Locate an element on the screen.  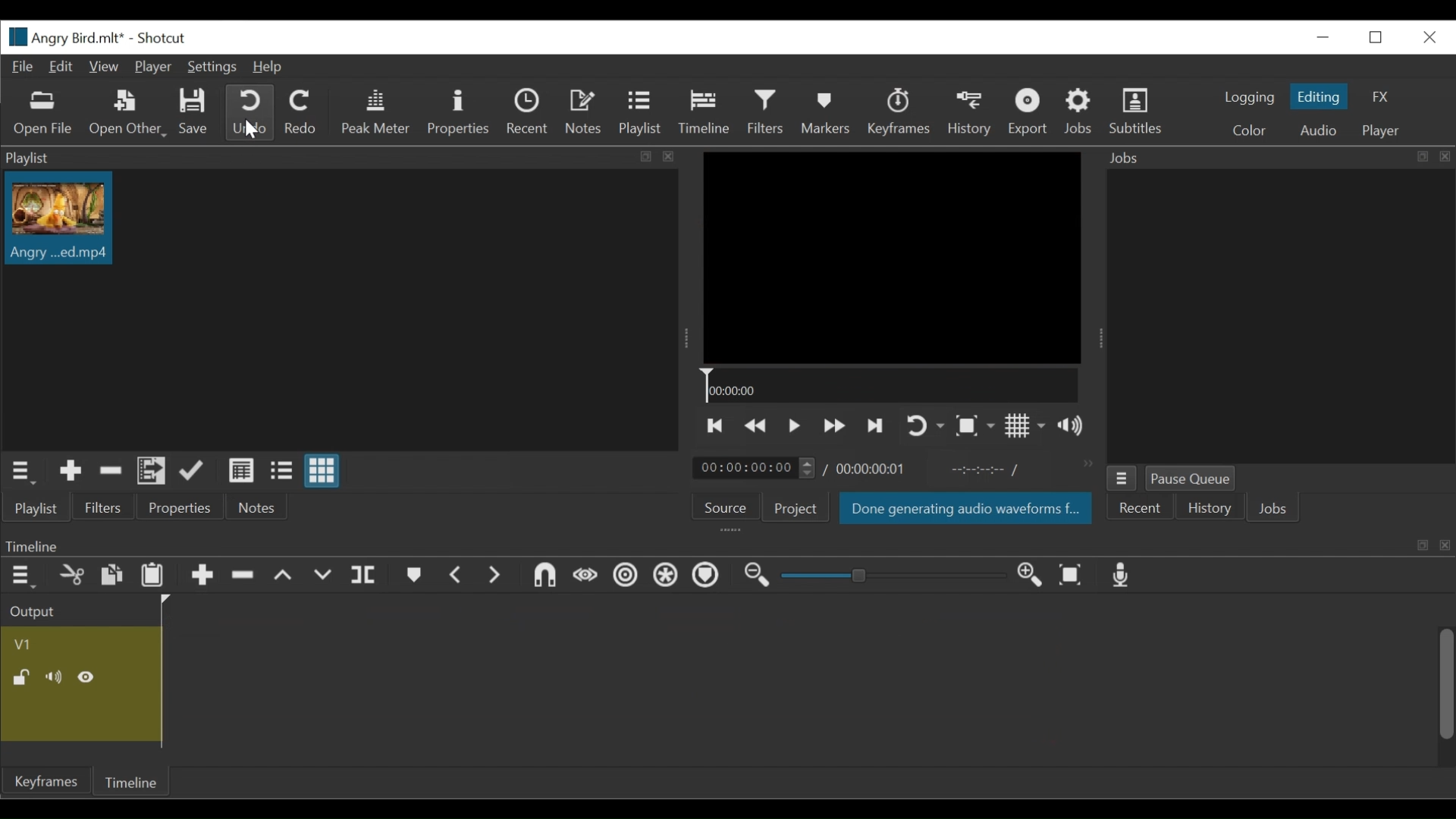
Ripple markers is located at coordinates (704, 576).